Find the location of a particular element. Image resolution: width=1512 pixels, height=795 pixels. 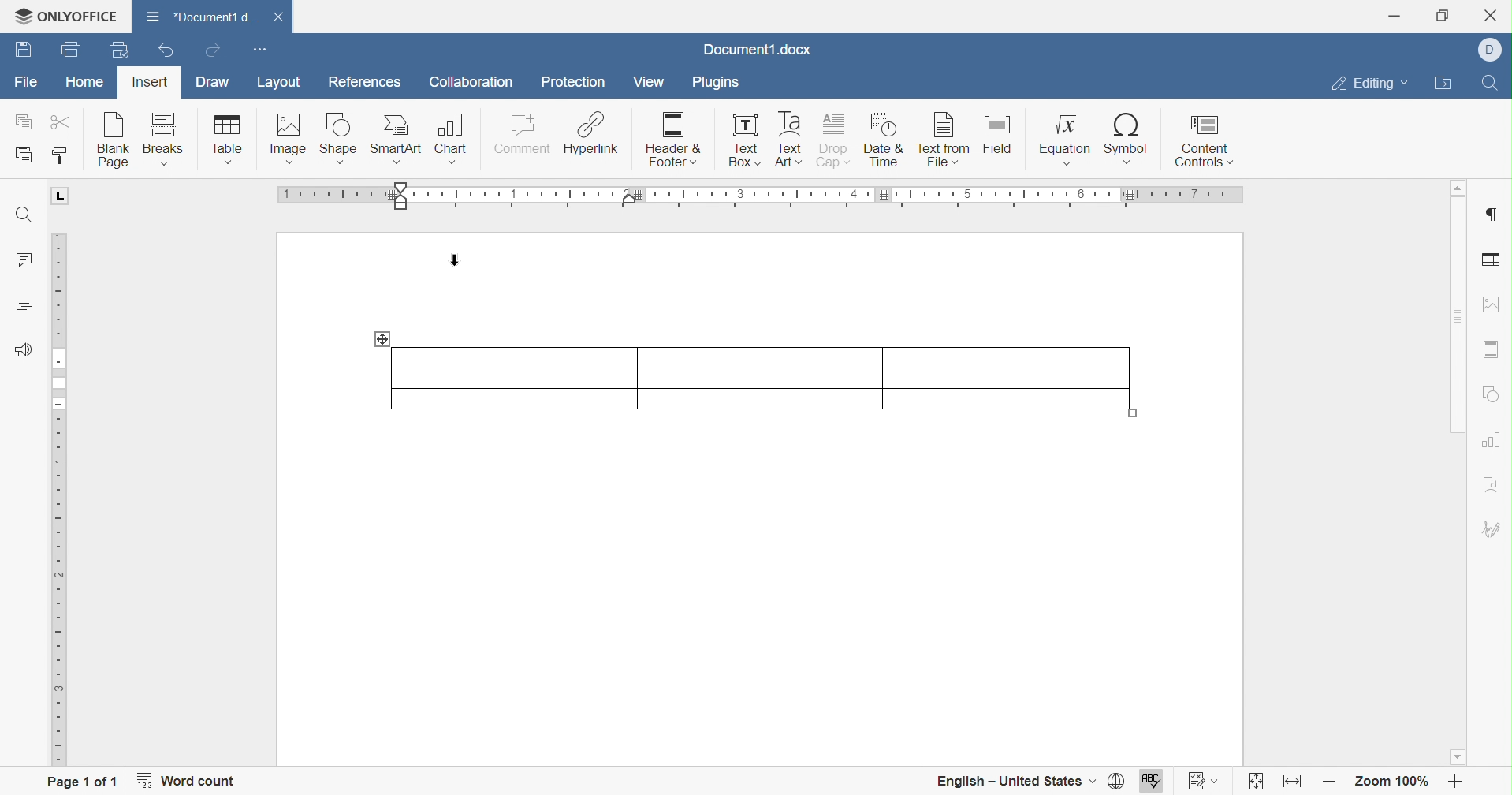

Find is located at coordinates (1490, 84).